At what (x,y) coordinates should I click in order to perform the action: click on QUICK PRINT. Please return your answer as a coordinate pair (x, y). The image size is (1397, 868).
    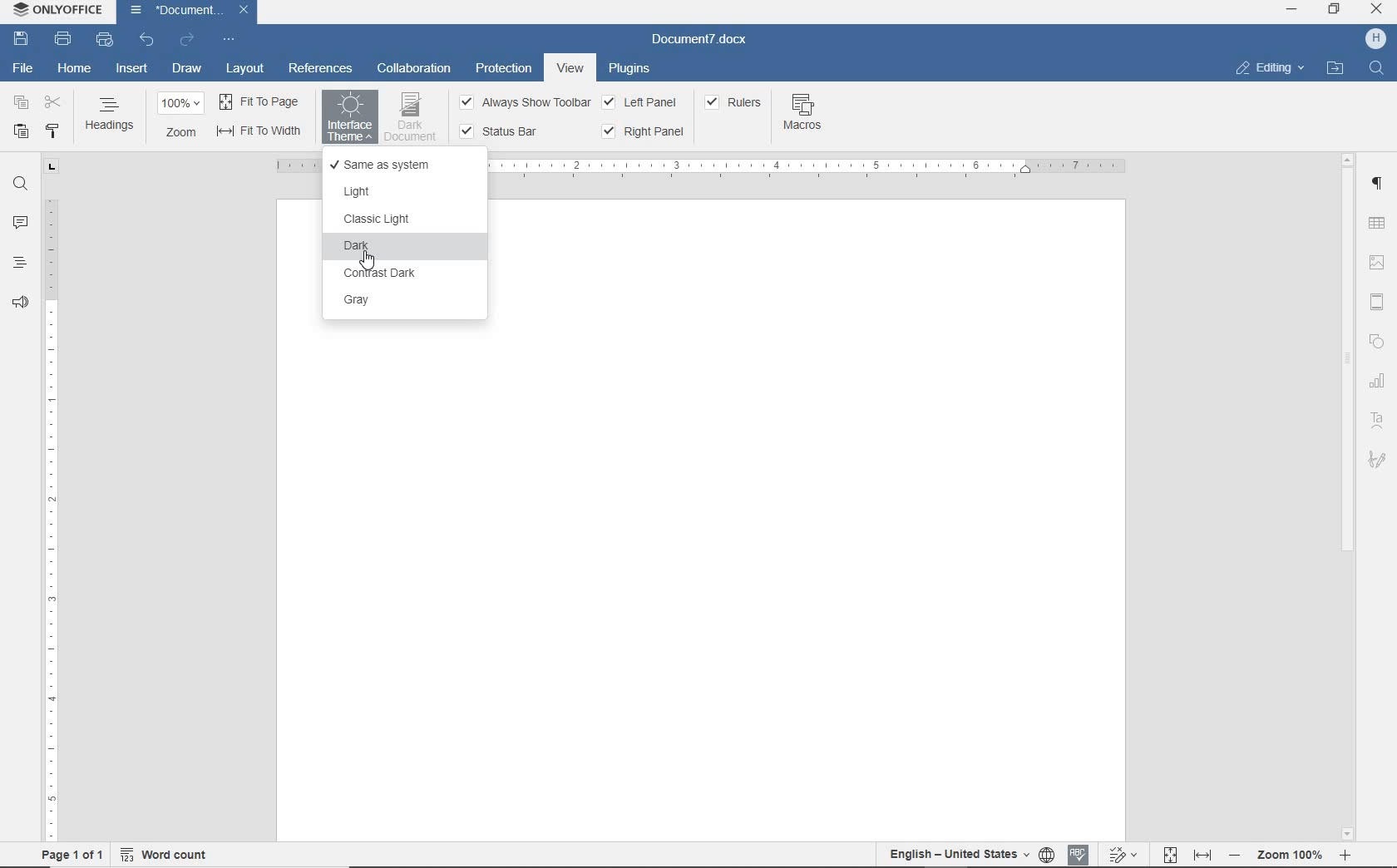
    Looking at the image, I should click on (103, 38).